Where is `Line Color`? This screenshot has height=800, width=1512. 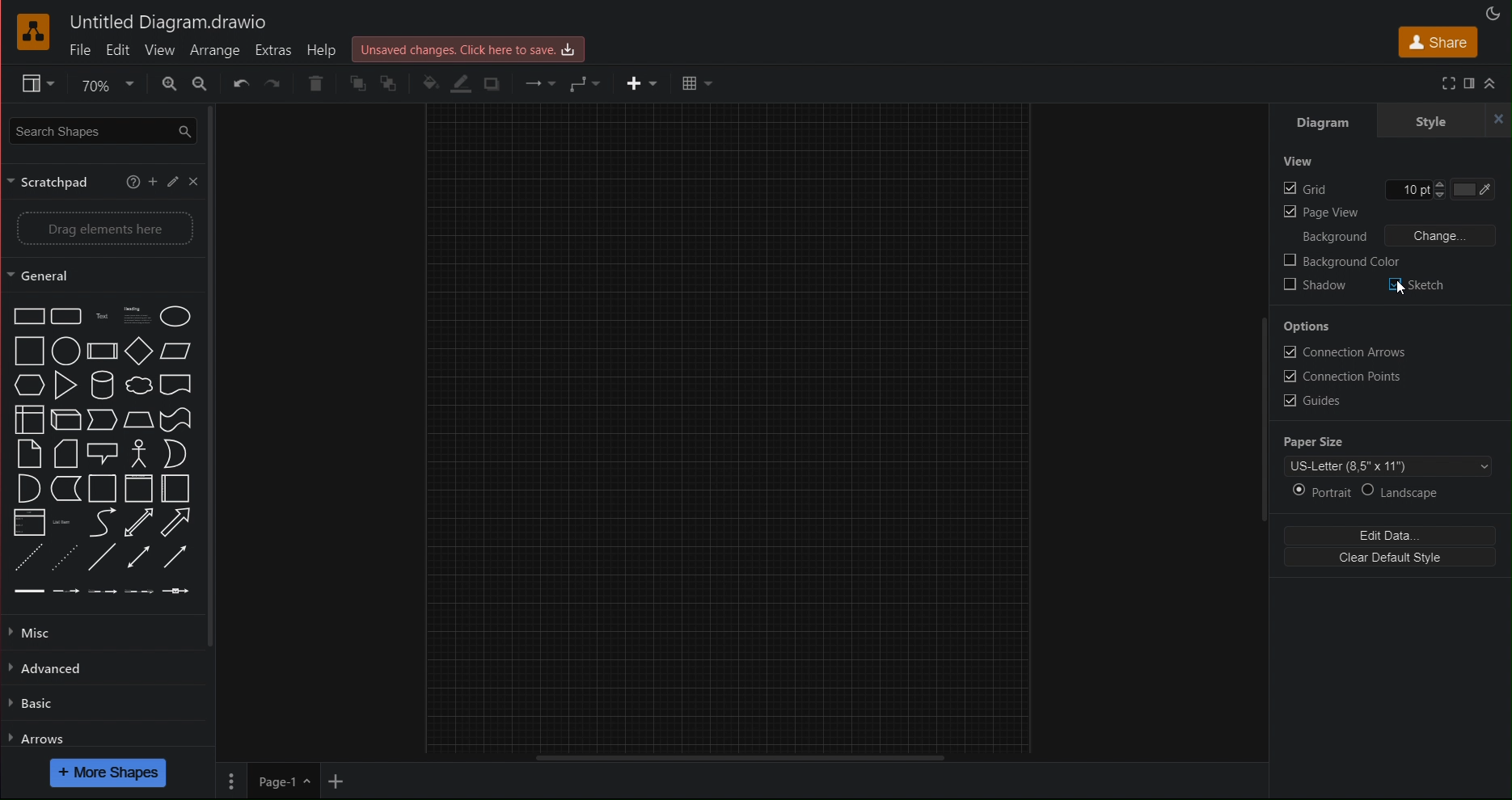 Line Color is located at coordinates (458, 83).